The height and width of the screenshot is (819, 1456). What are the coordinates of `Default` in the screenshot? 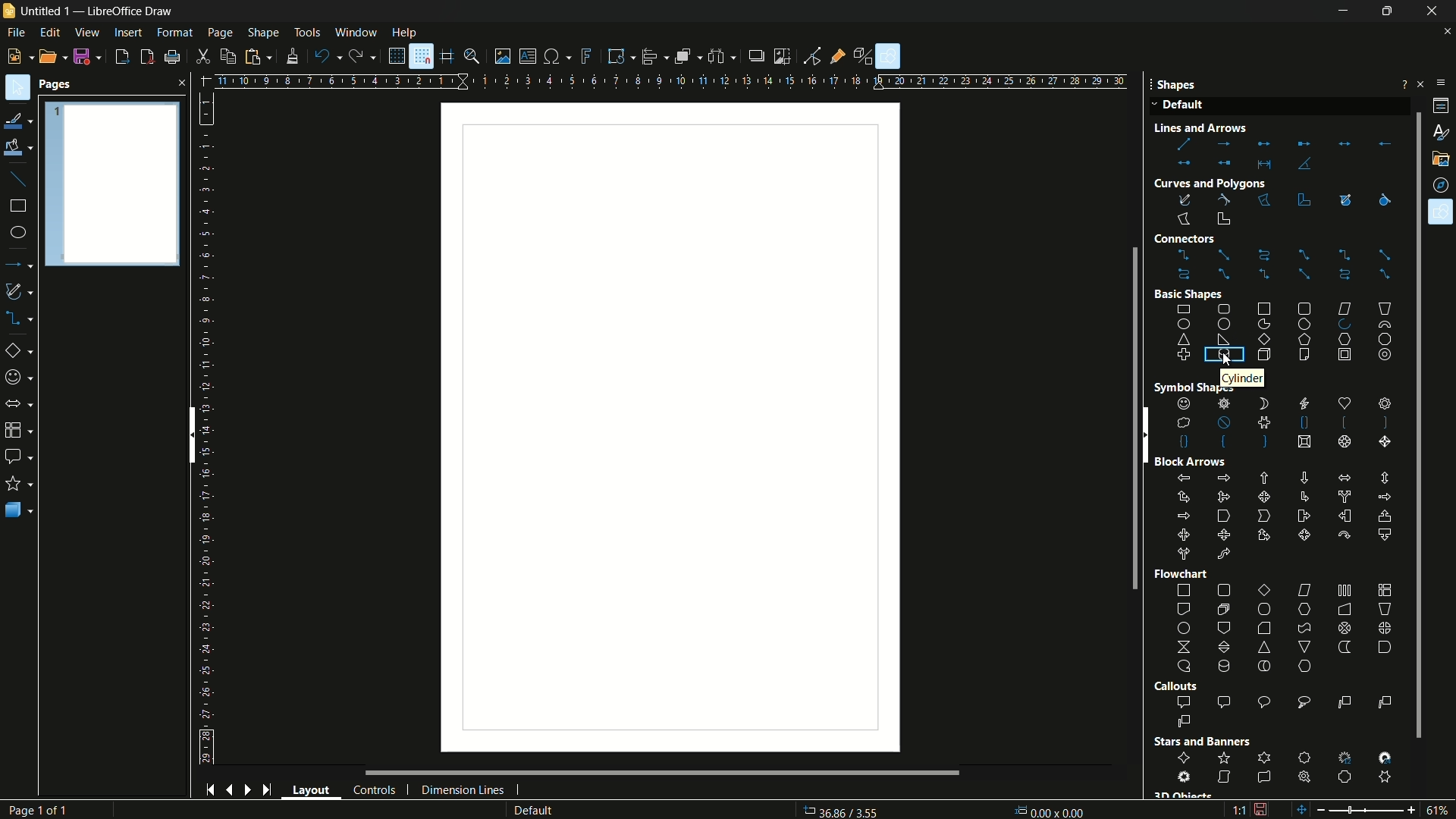 It's located at (1180, 106).